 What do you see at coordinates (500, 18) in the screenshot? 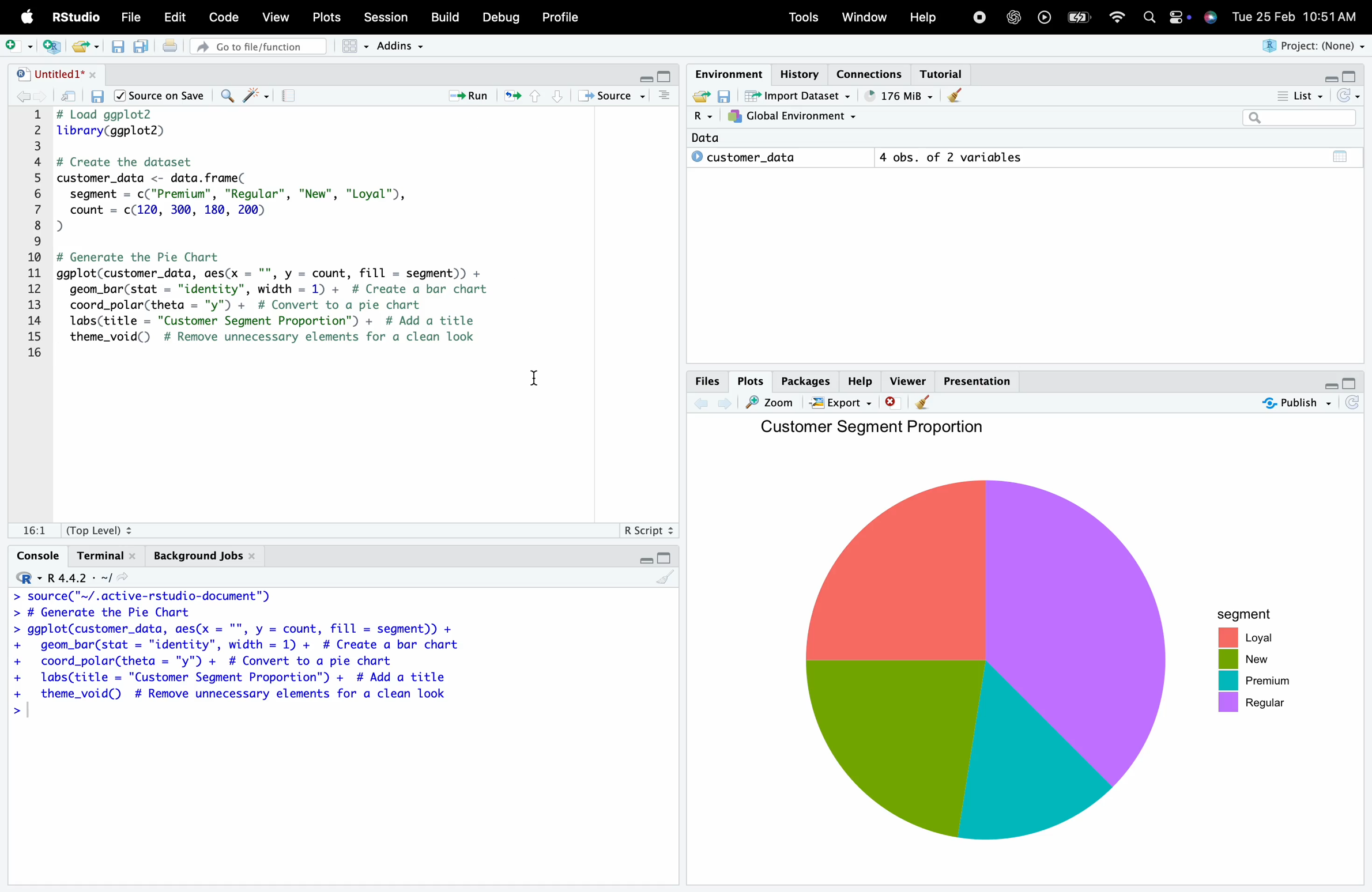
I see `Debug` at bounding box center [500, 18].